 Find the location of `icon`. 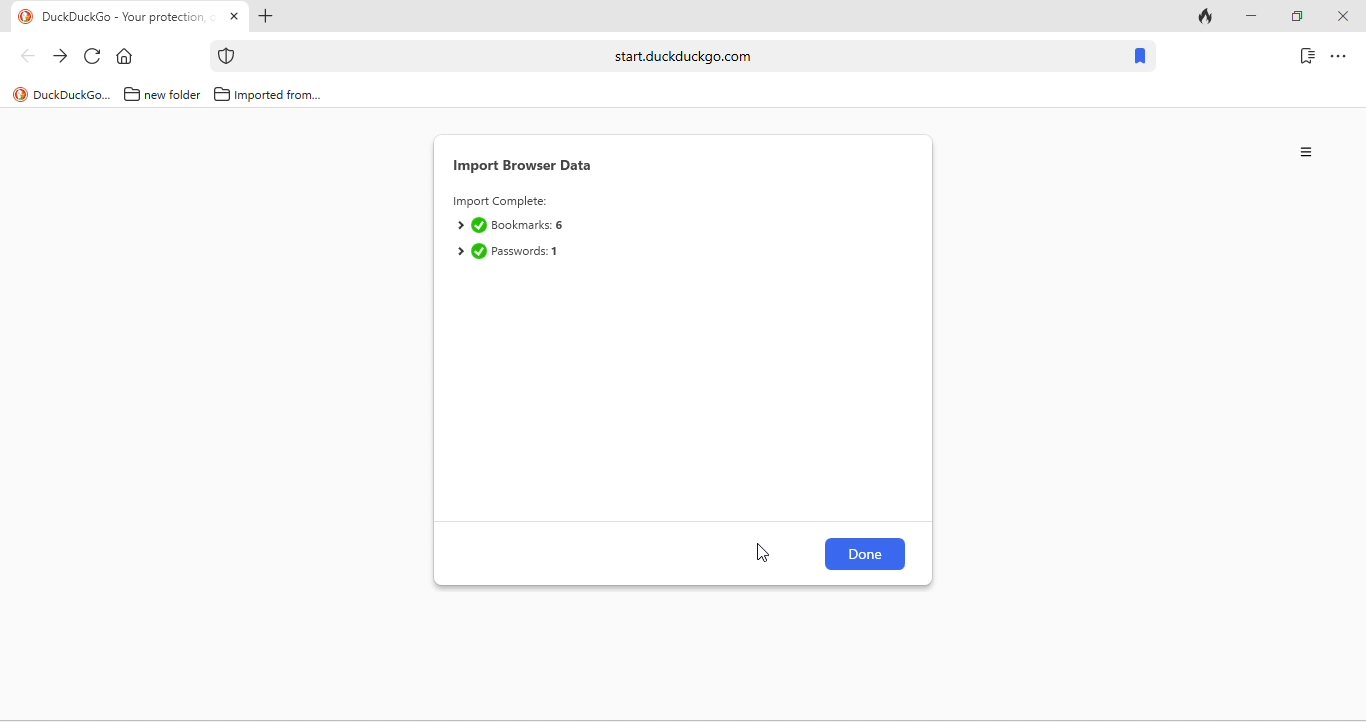

icon is located at coordinates (26, 17).